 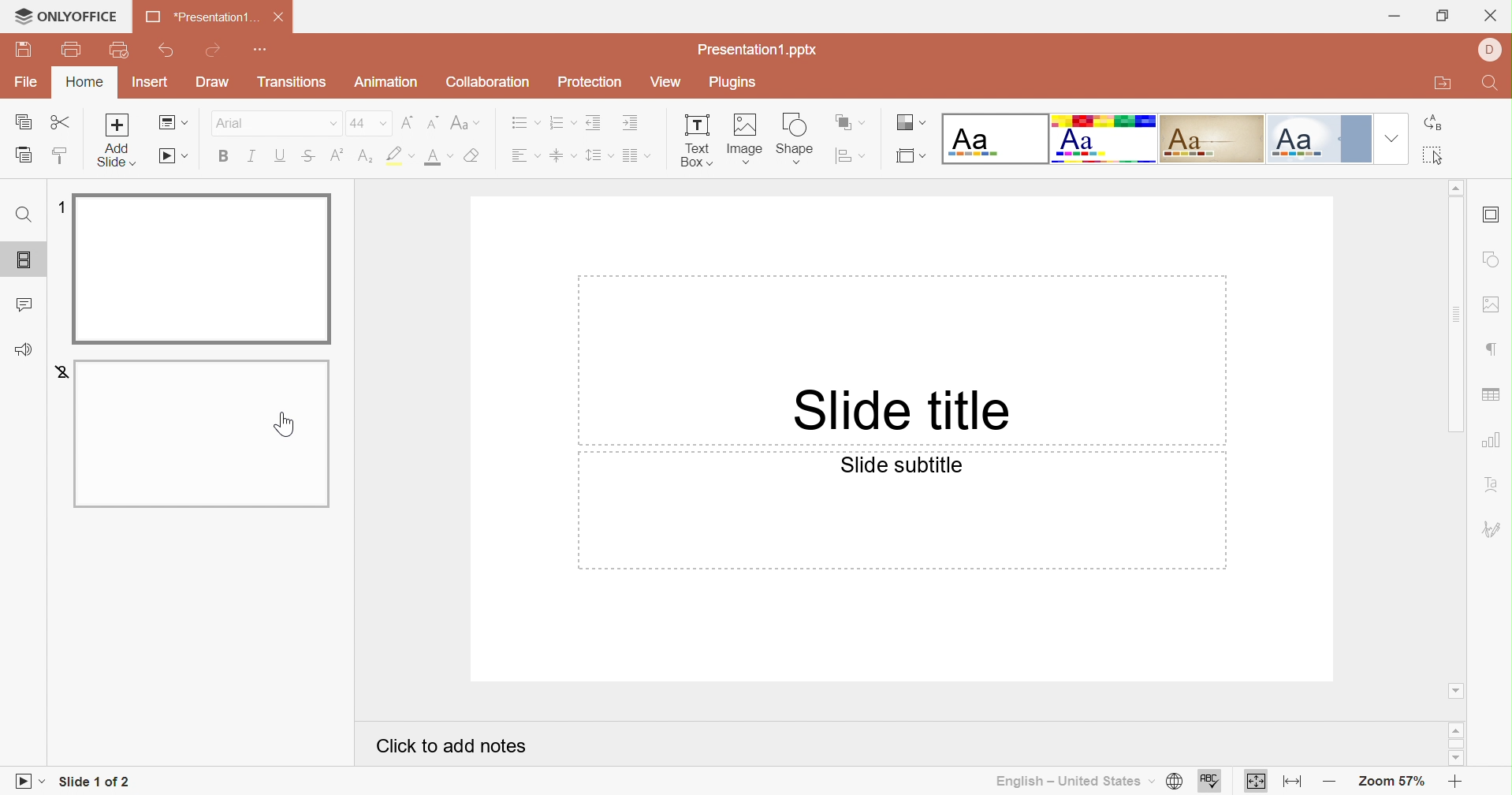 I want to click on Paragraph settings, so click(x=1494, y=349).